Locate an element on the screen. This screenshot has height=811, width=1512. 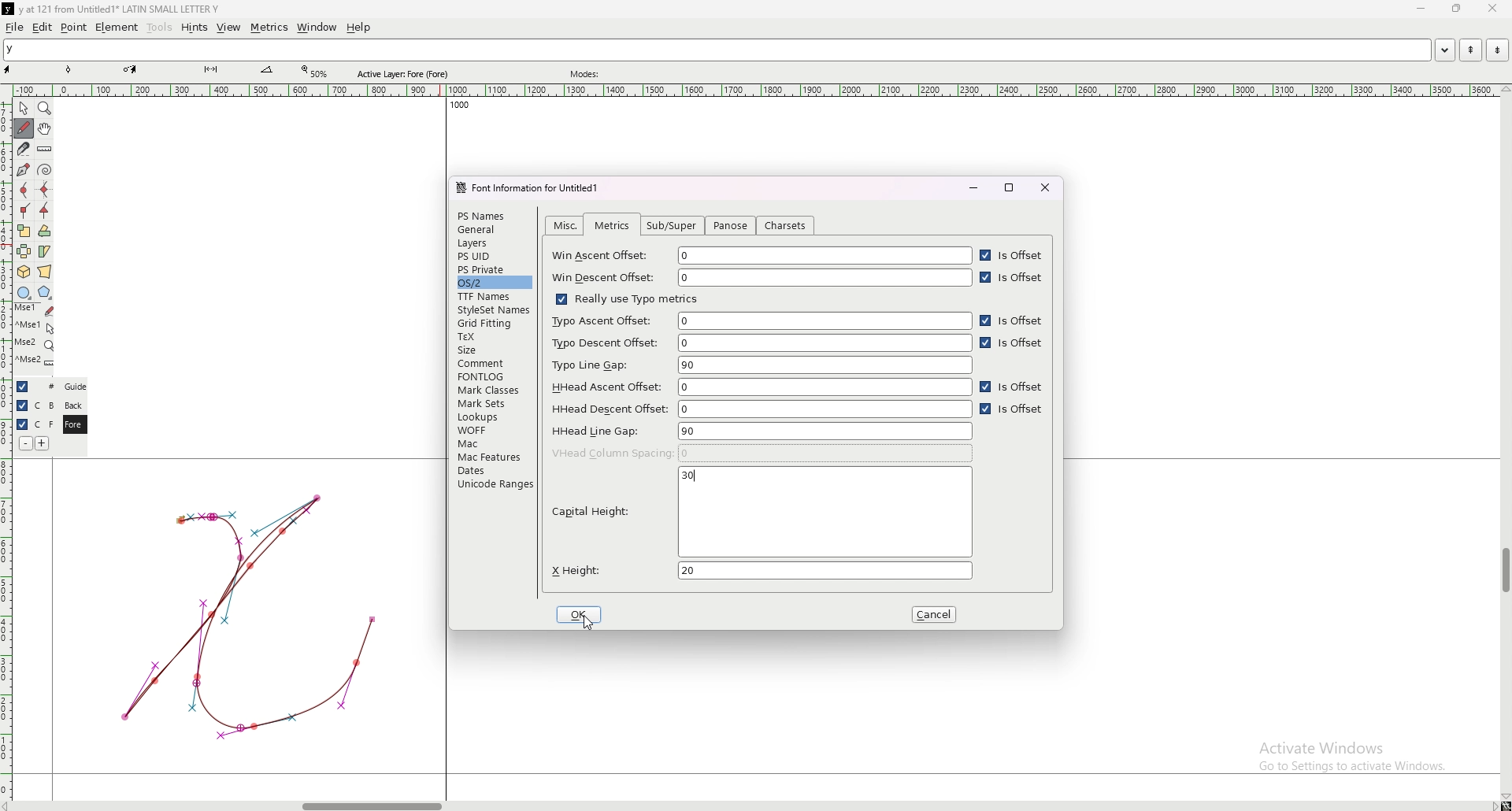
scale the selection is located at coordinates (24, 231).